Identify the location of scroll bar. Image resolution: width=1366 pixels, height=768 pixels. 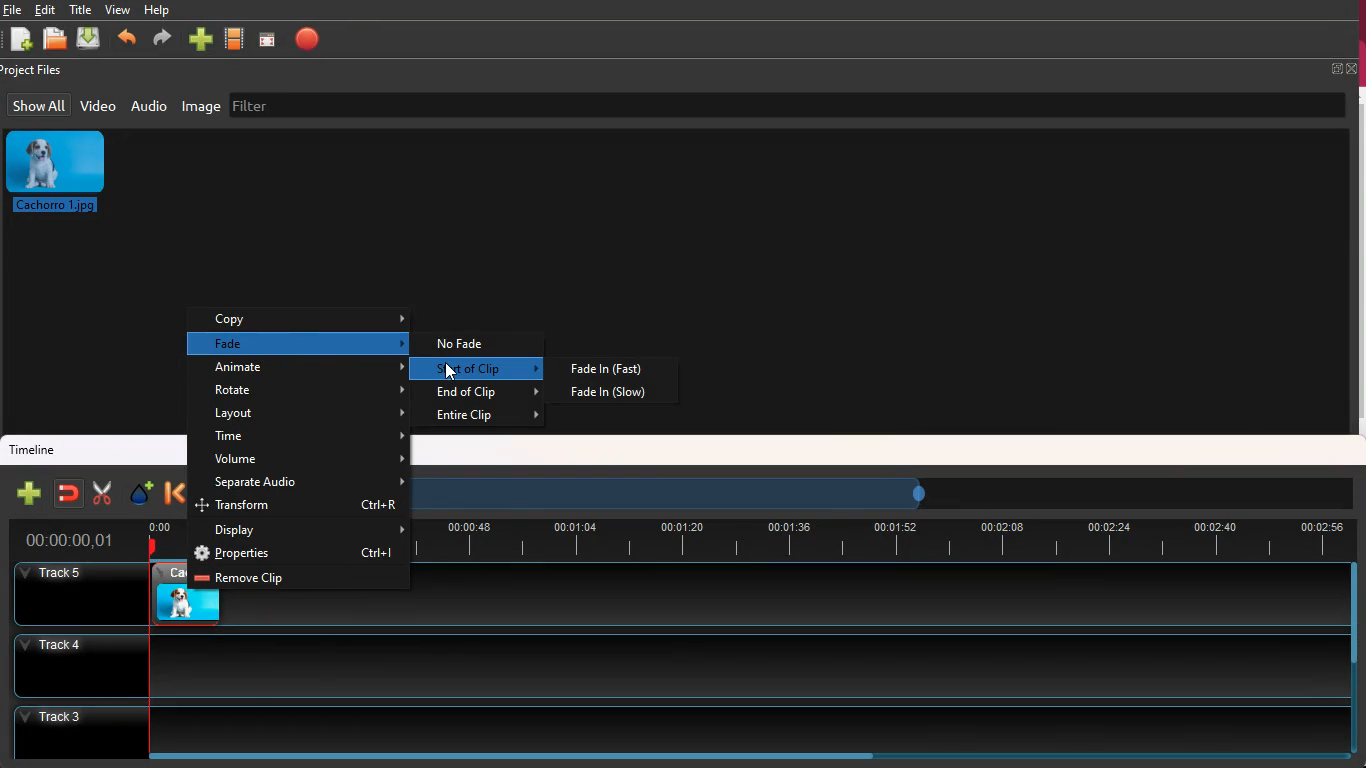
(1357, 614).